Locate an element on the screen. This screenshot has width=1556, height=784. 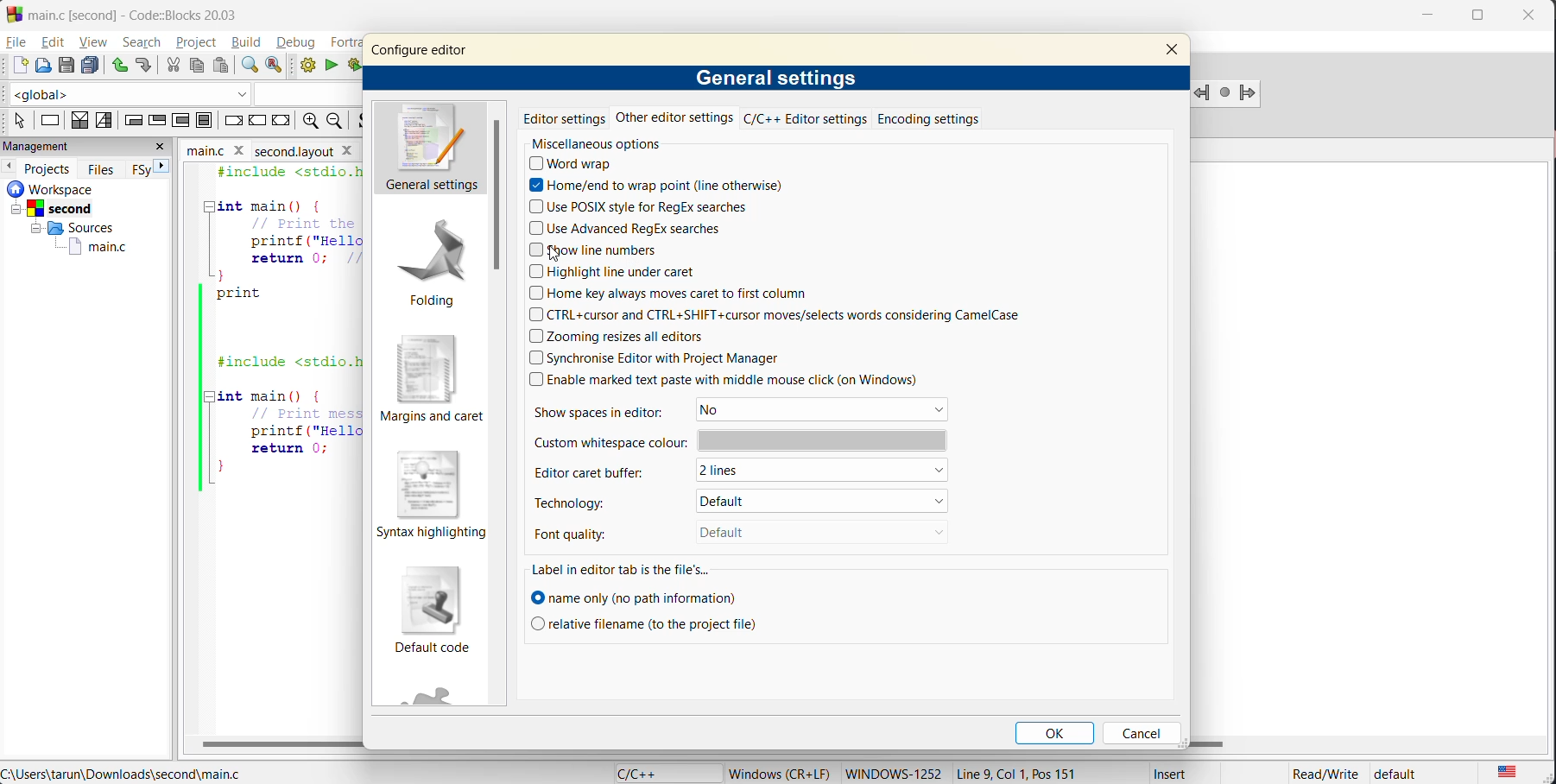
find is located at coordinates (247, 66).